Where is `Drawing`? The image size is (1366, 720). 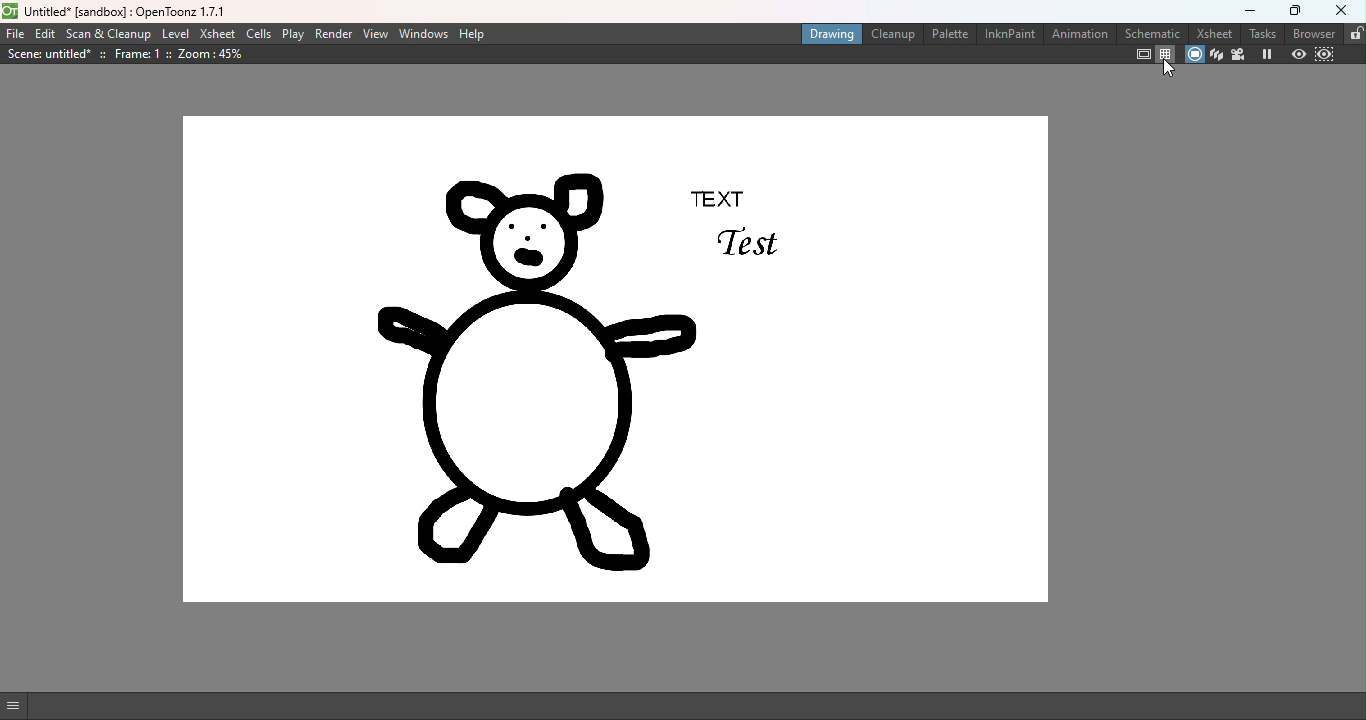 Drawing is located at coordinates (827, 34).